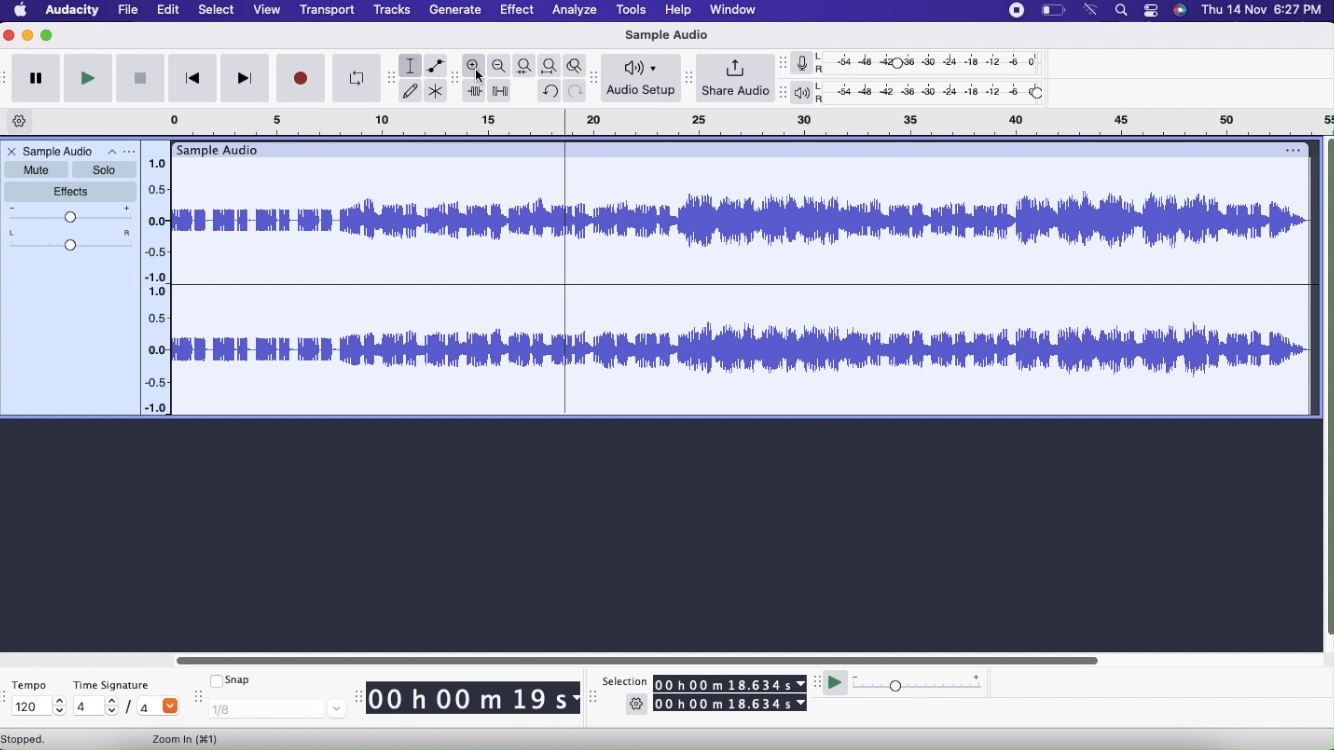 The height and width of the screenshot is (750, 1334). What do you see at coordinates (158, 708) in the screenshot?
I see `4` at bounding box center [158, 708].